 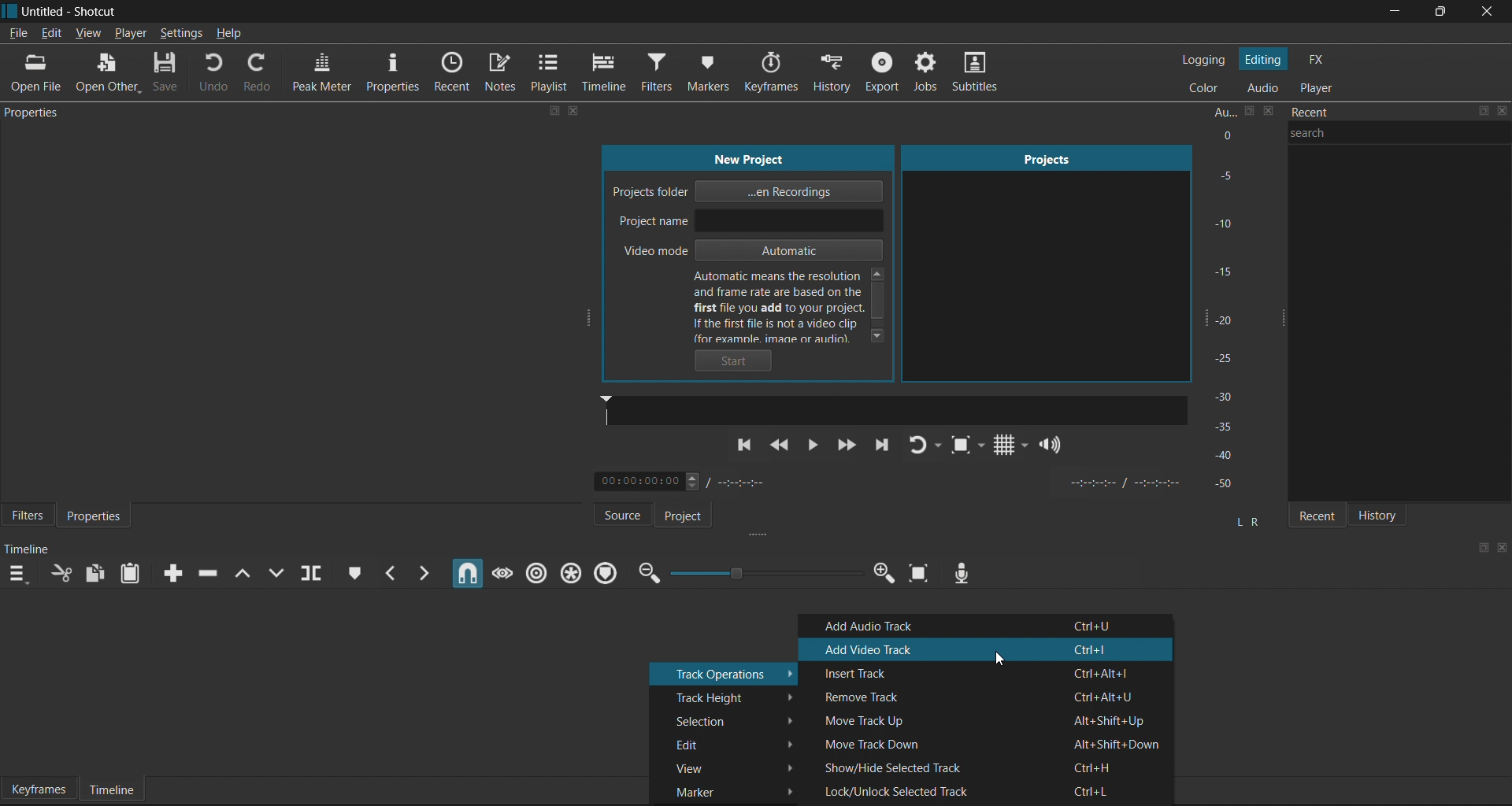 I want to click on Filters, so click(x=661, y=72).